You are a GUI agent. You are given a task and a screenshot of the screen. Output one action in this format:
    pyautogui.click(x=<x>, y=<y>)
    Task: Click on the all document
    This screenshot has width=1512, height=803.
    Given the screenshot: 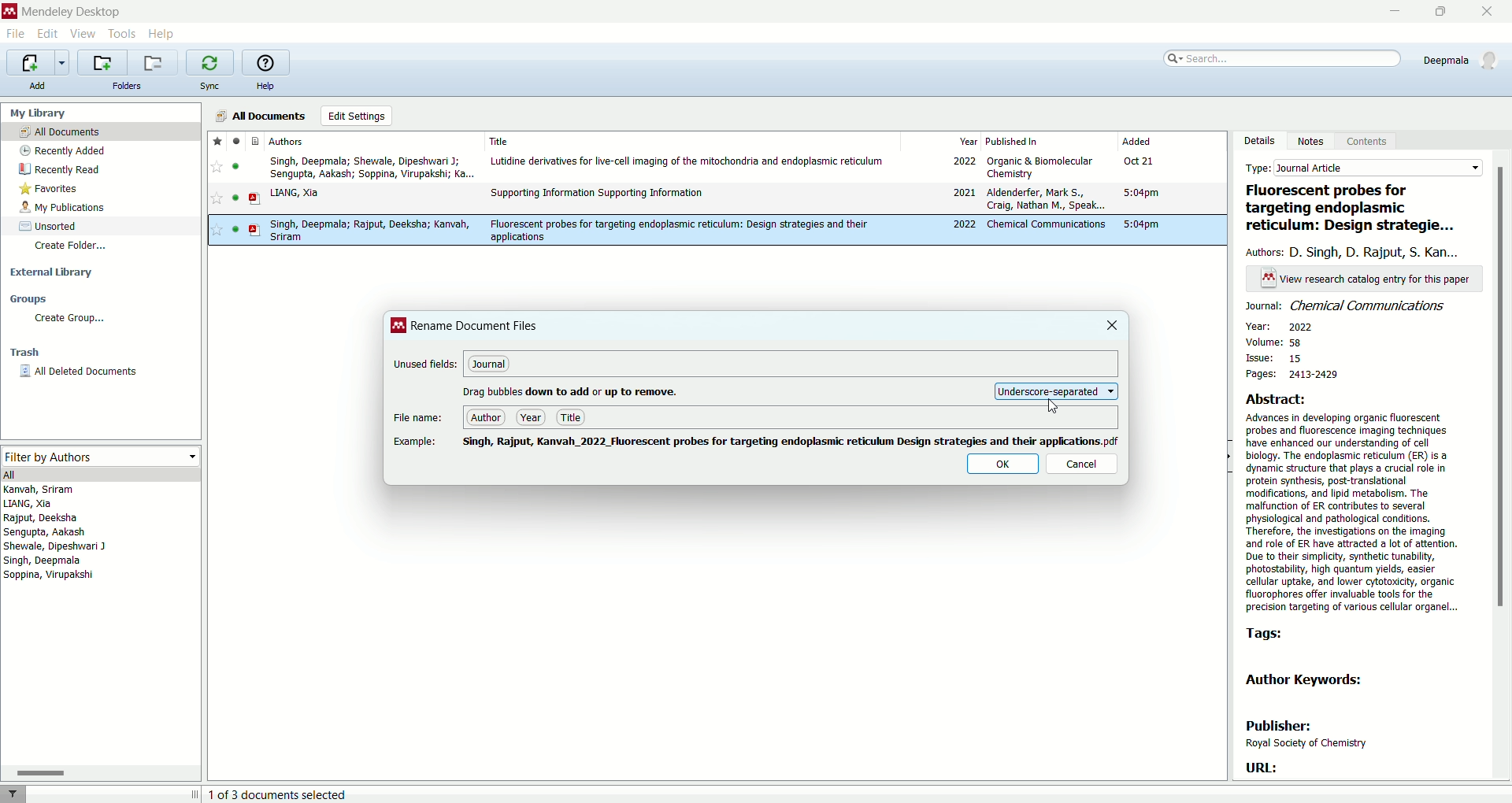 What is the action you would take?
    pyautogui.click(x=102, y=131)
    